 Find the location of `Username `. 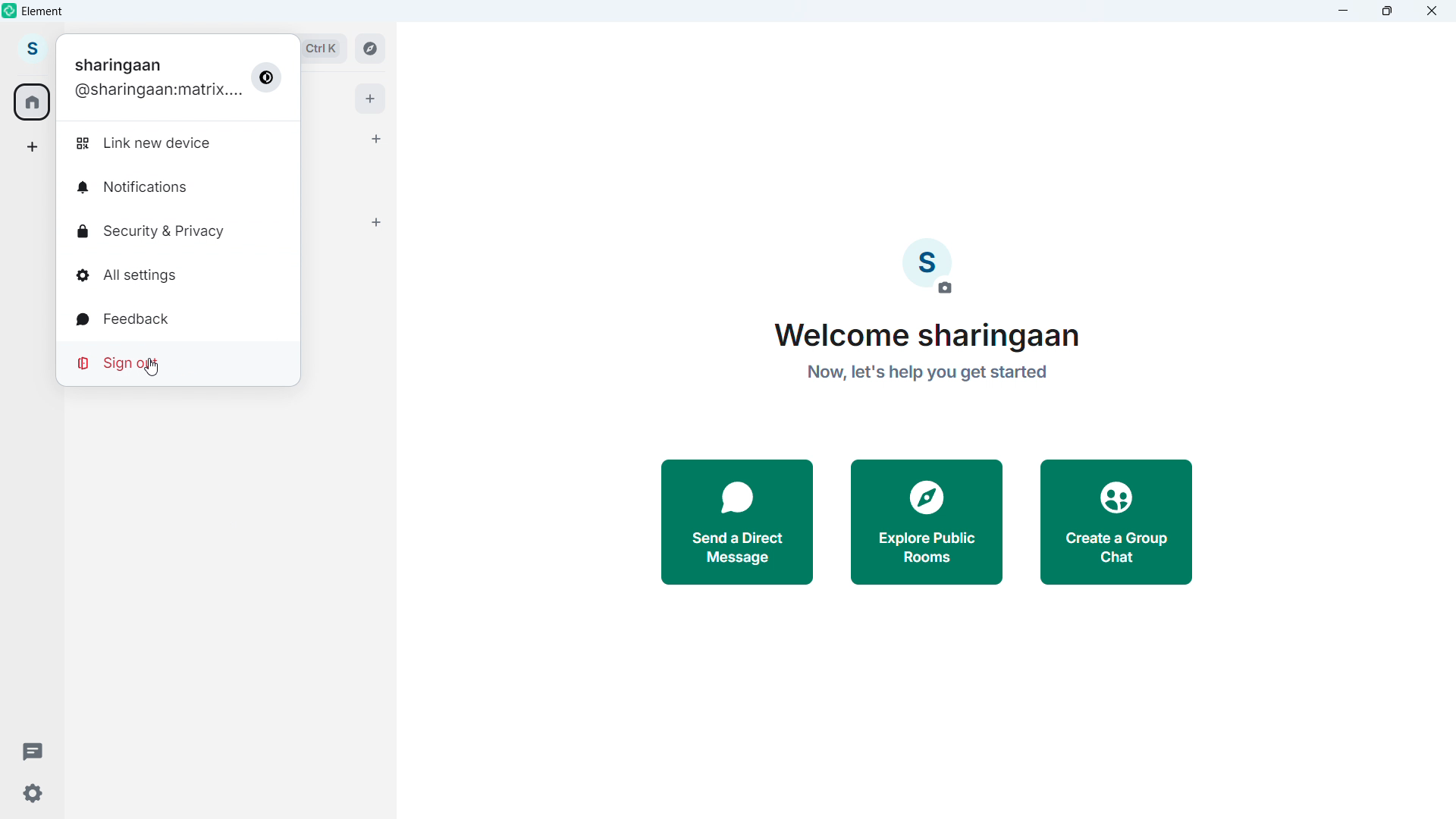

Username  is located at coordinates (156, 93).